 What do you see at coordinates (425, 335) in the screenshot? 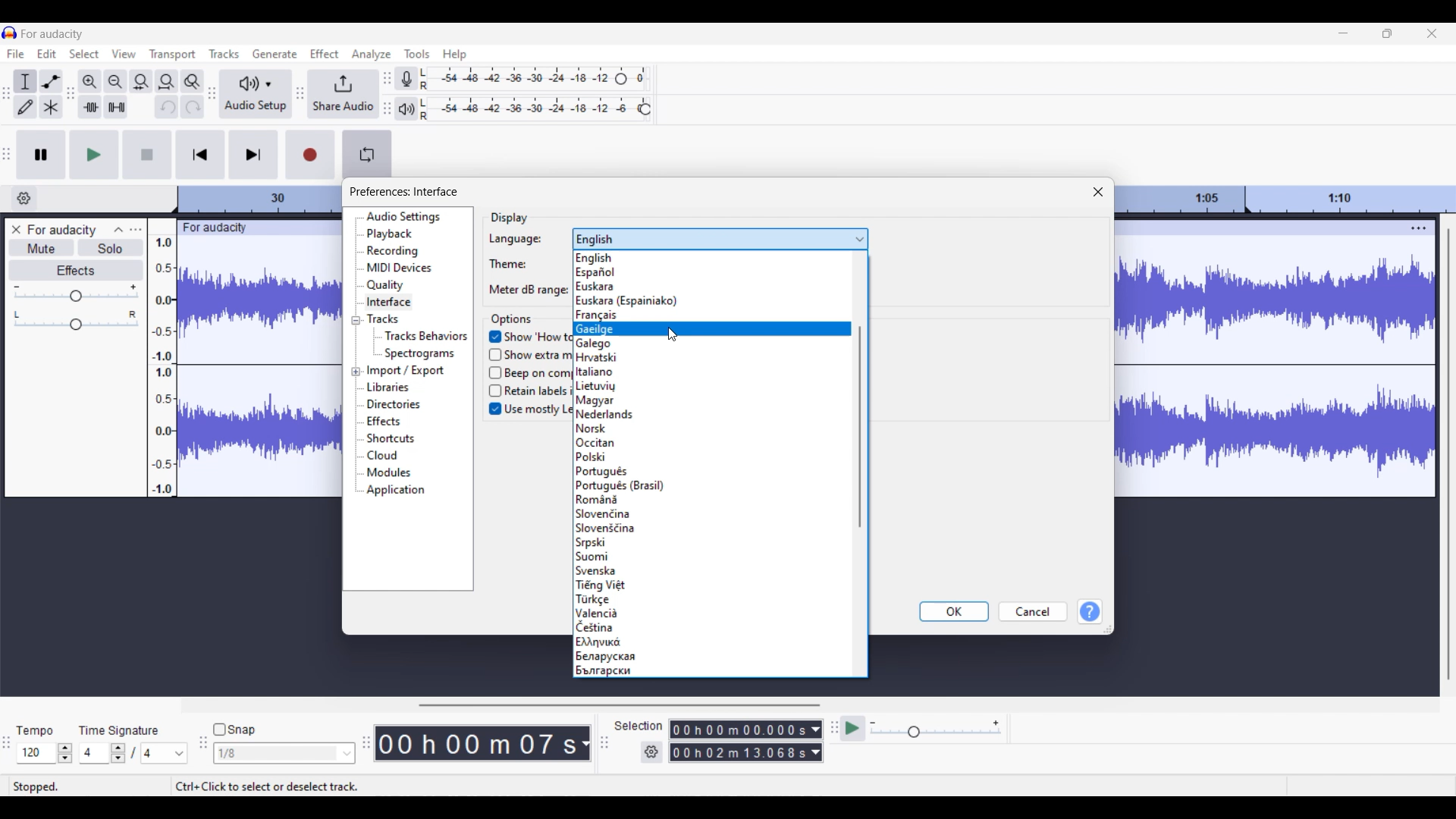
I see `Tracks behaviors` at bounding box center [425, 335].